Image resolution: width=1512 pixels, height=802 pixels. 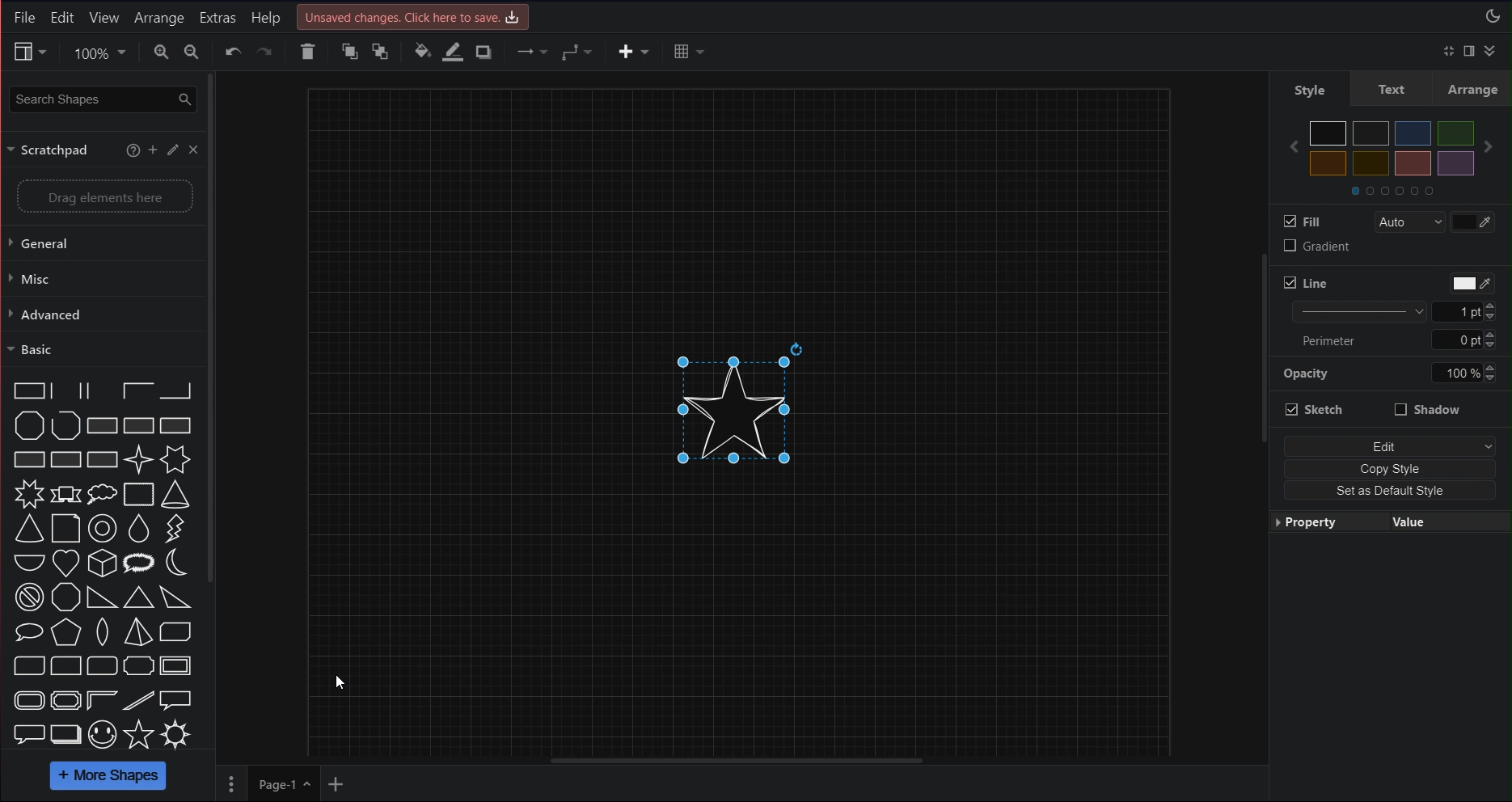 I want to click on partial rectangle, so click(x=137, y=390).